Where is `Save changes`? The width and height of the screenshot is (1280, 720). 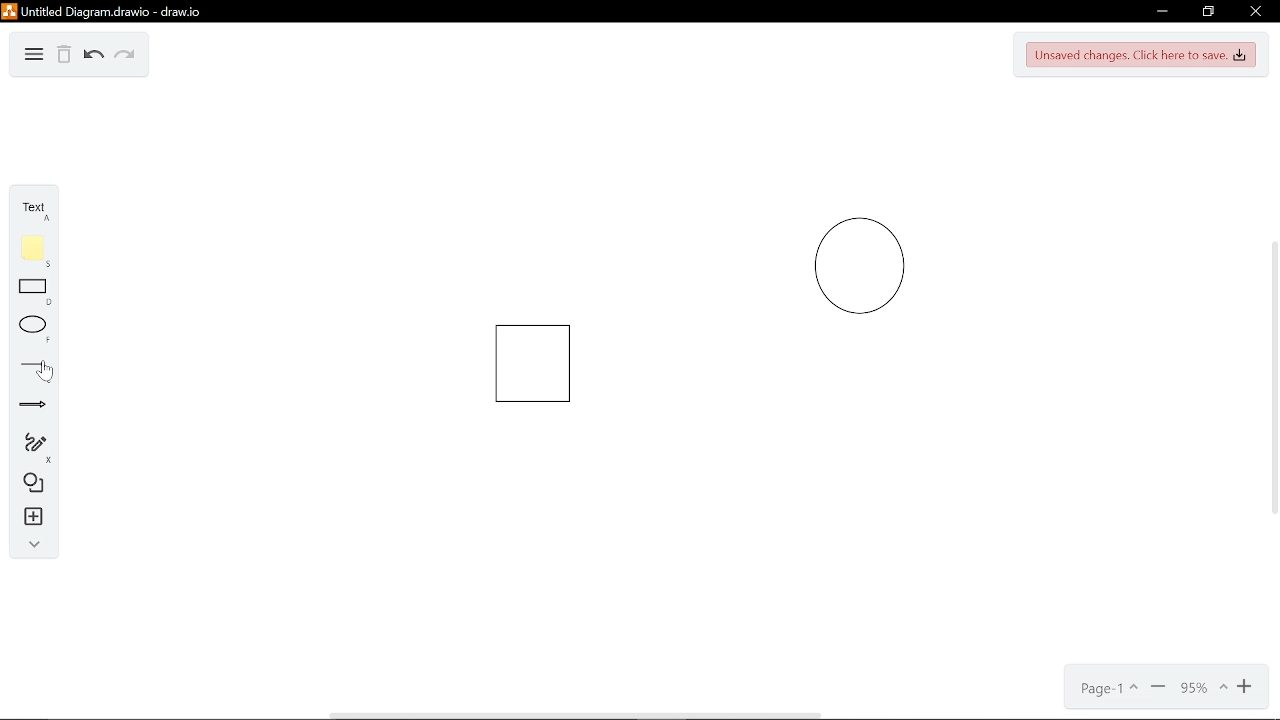 Save changes is located at coordinates (1141, 54).